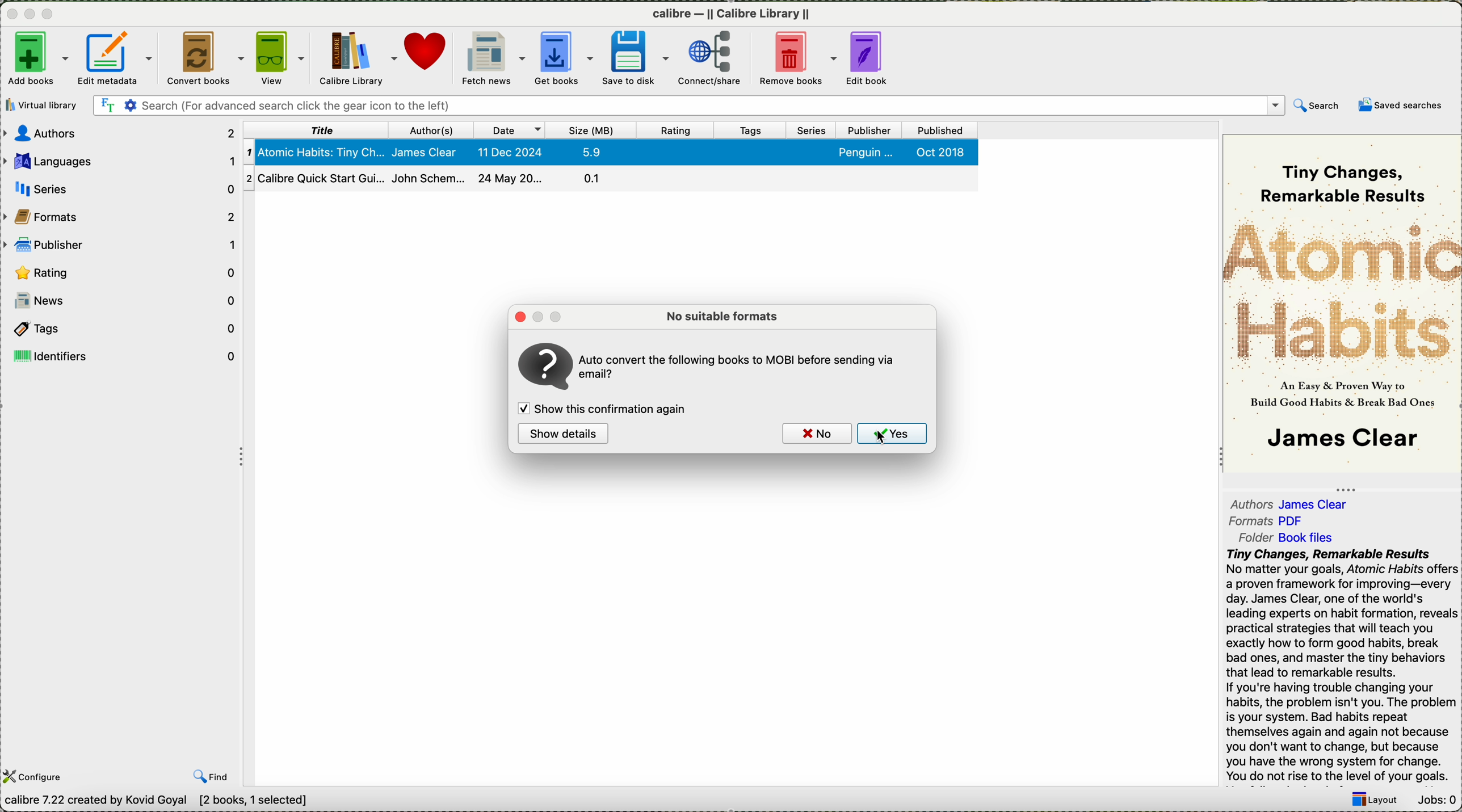 The width and height of the screenshot is (1462, 812). Describe the element at coordinates (812, 129) in the screenshot. I see `series` at that location.